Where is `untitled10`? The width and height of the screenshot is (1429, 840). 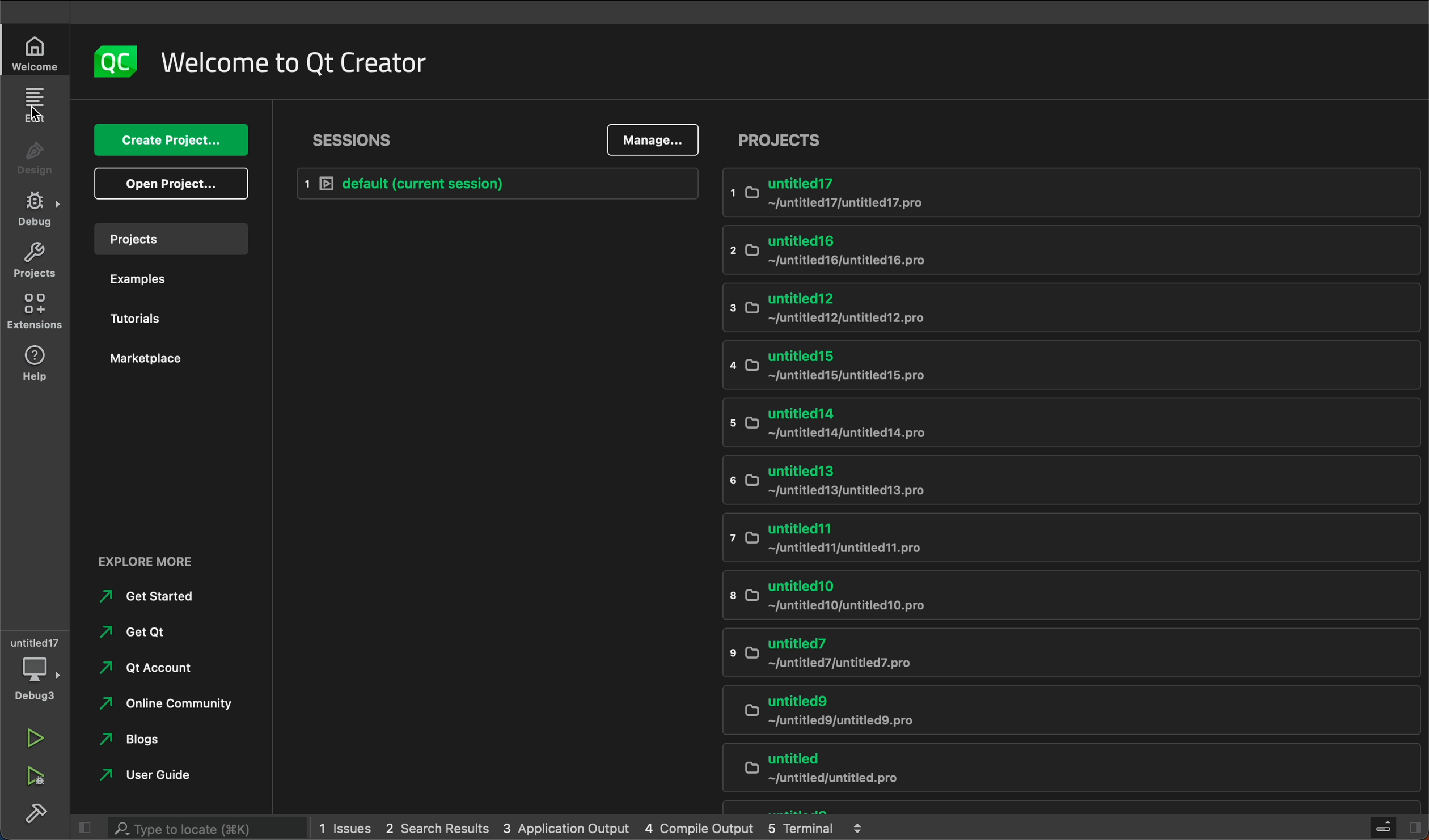
untitled10 is located at coordinates (1048, 597).